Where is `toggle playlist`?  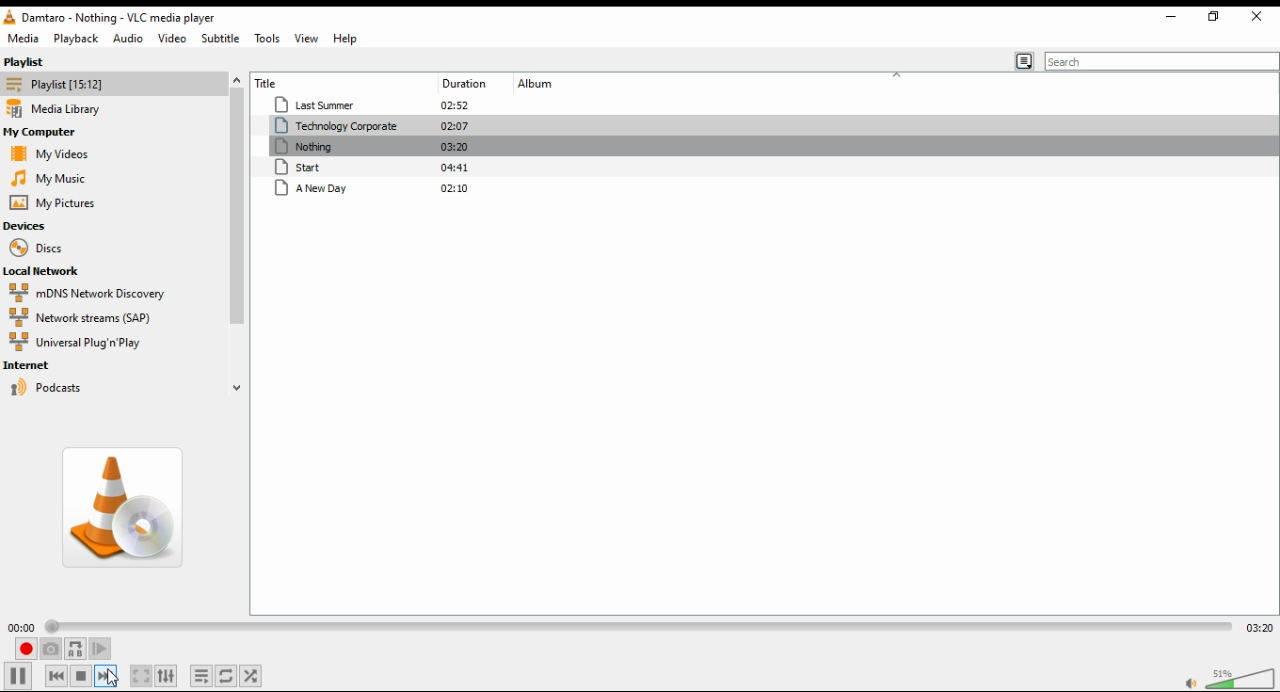
toggle playlist is located at coordinates (201, 676).